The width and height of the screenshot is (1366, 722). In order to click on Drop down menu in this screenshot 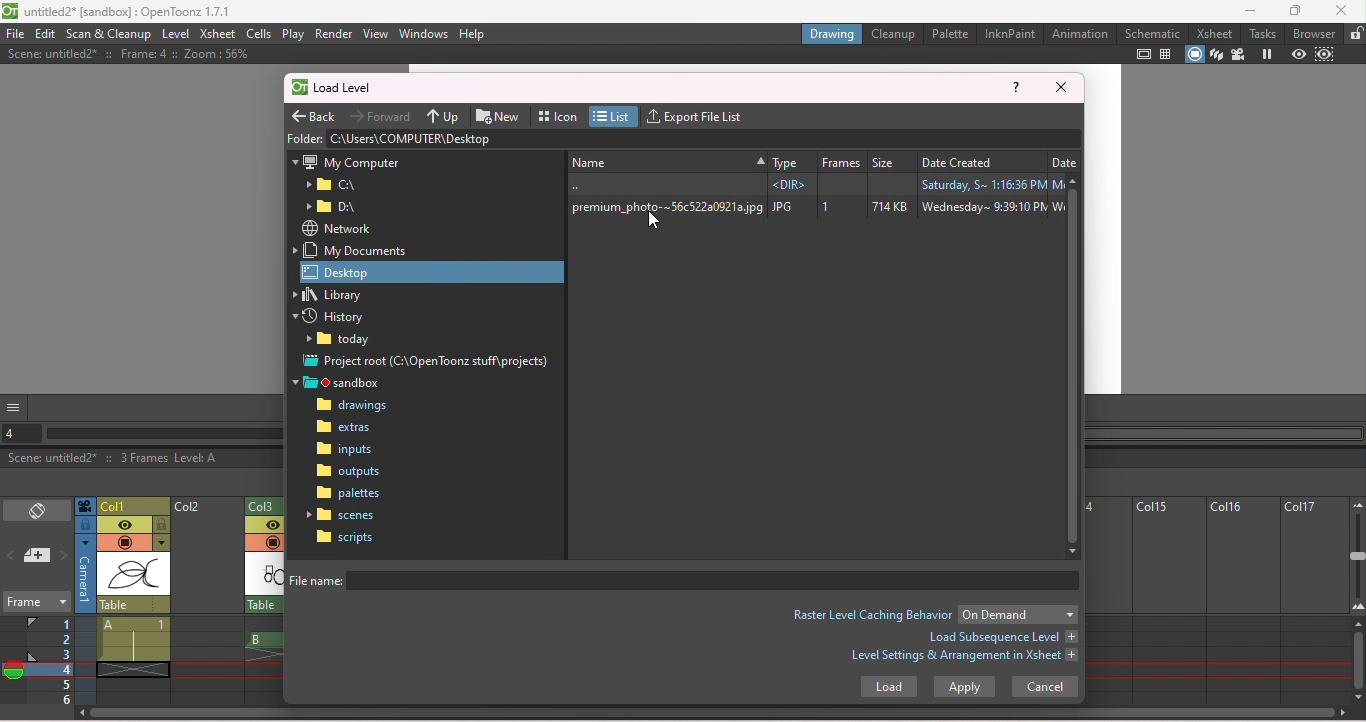, I will do `click(1018, 614)`.